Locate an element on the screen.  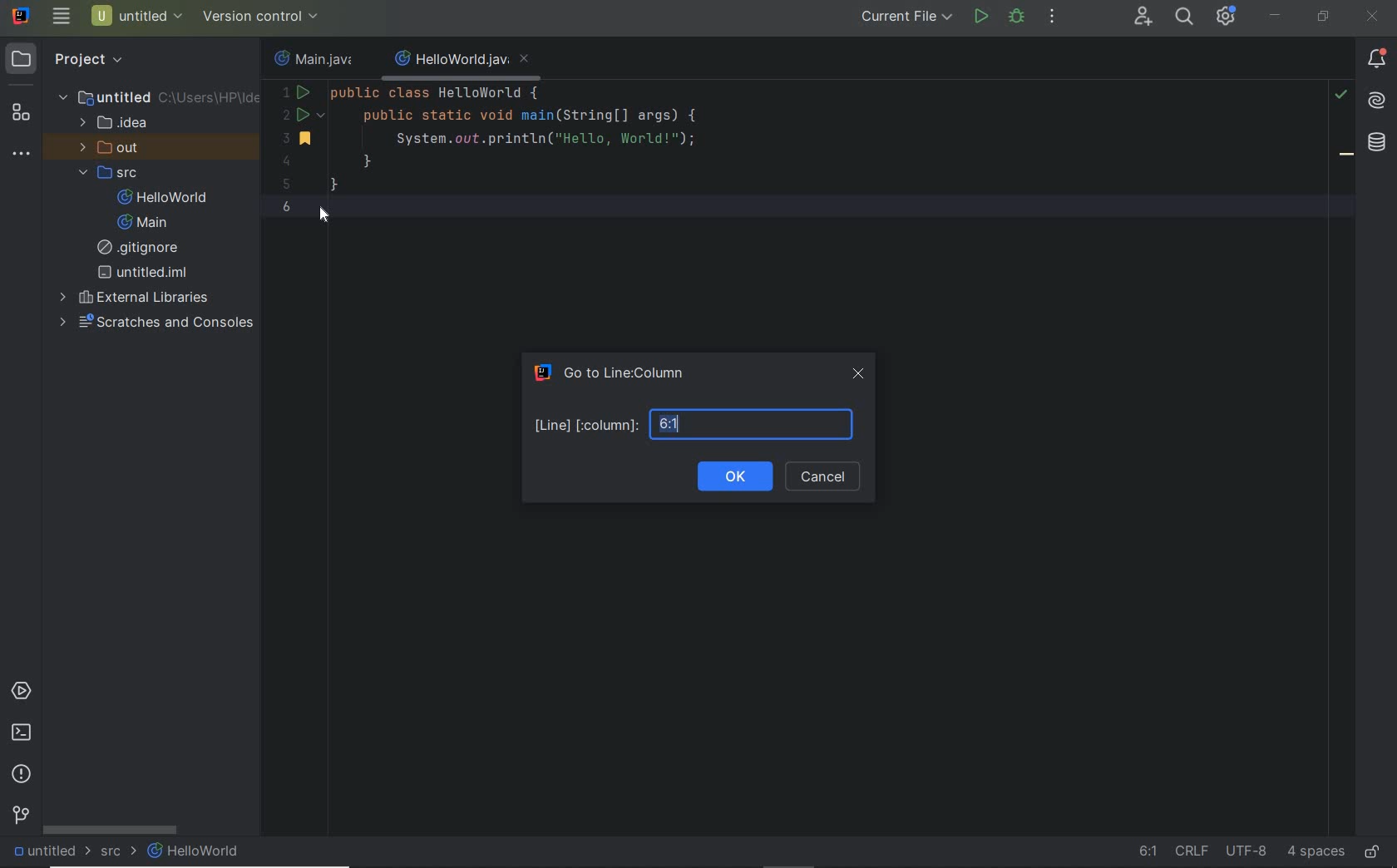
system name is located at coordinates (22, 15).